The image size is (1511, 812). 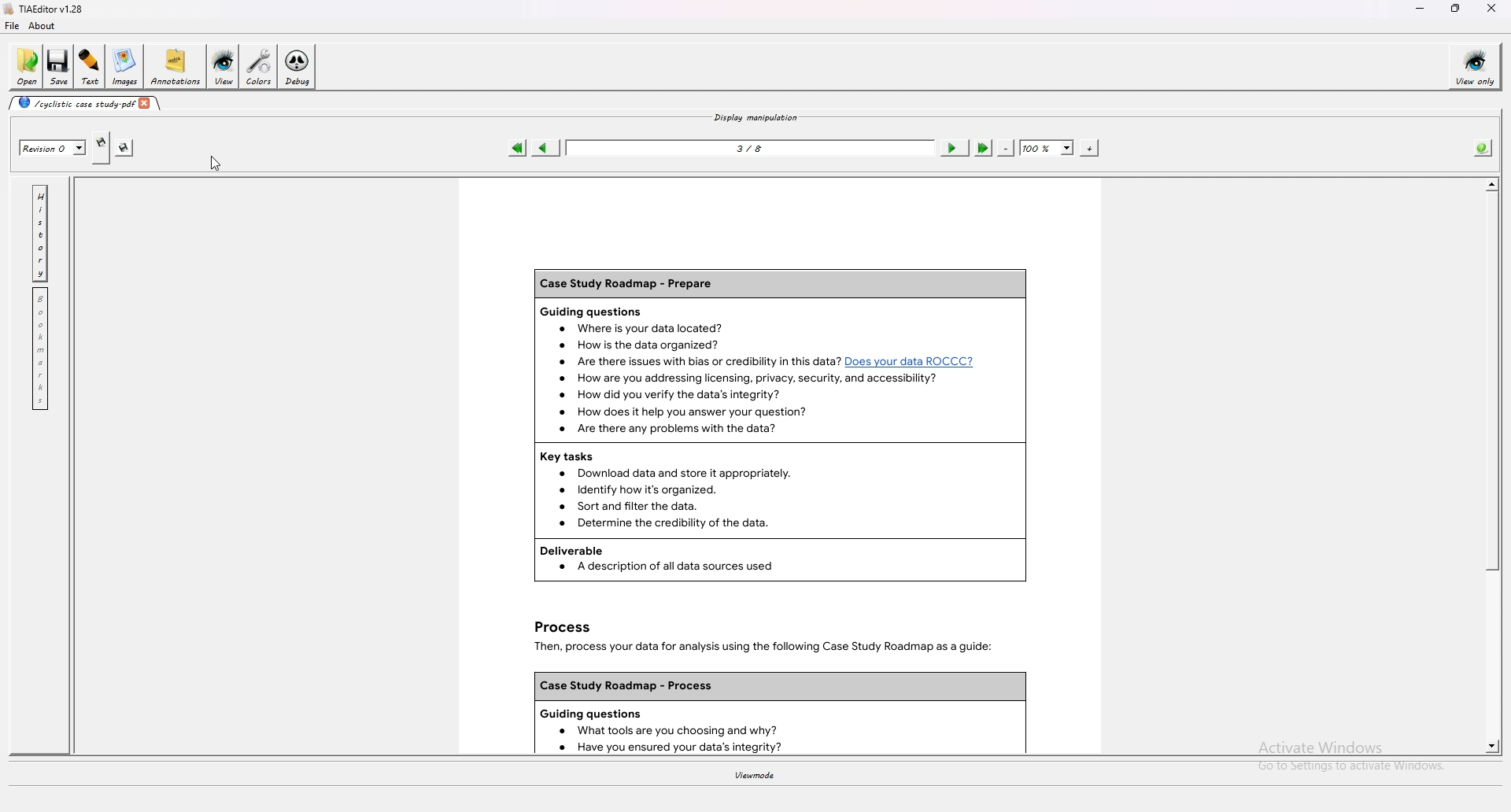 What do you see at coordinates (1457, 8) in the screenshot?
I see `resize` at bounding box center [1457, 8].